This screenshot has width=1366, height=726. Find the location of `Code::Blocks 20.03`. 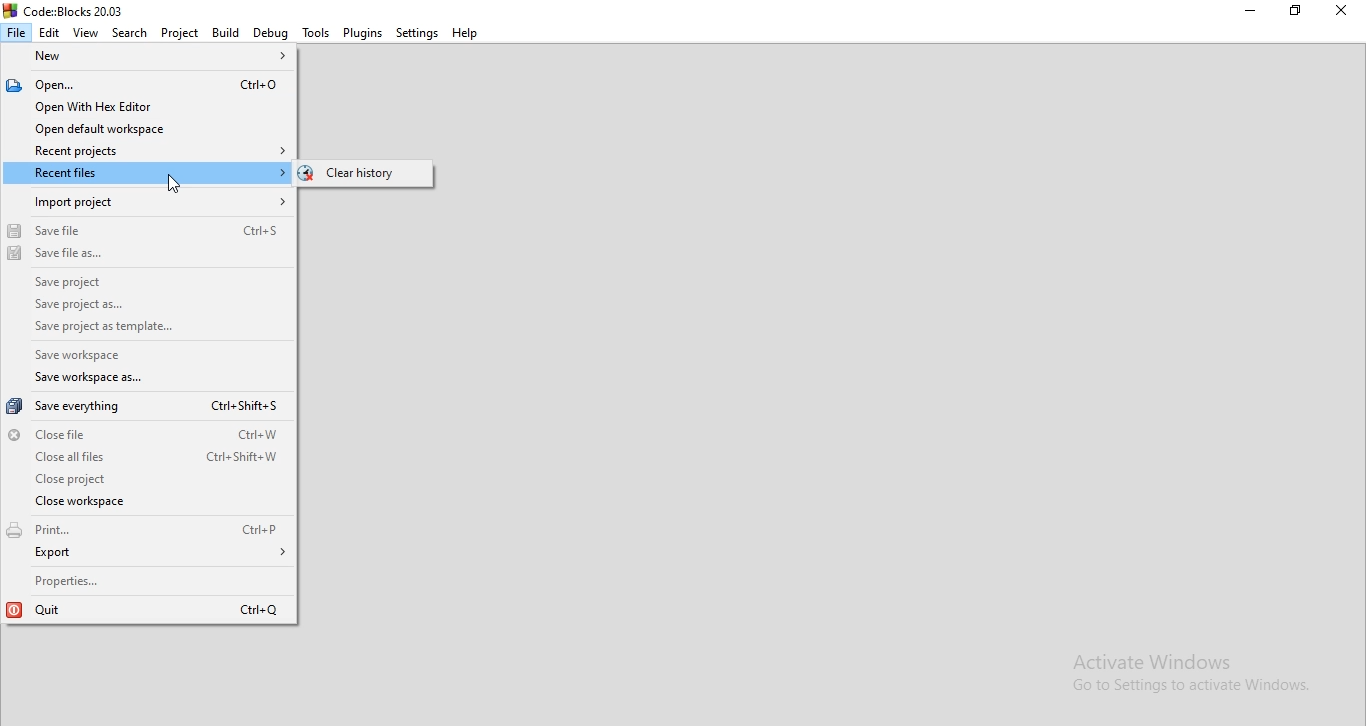

Code::Blocks 20.03 is located at coordinates (69, 9).